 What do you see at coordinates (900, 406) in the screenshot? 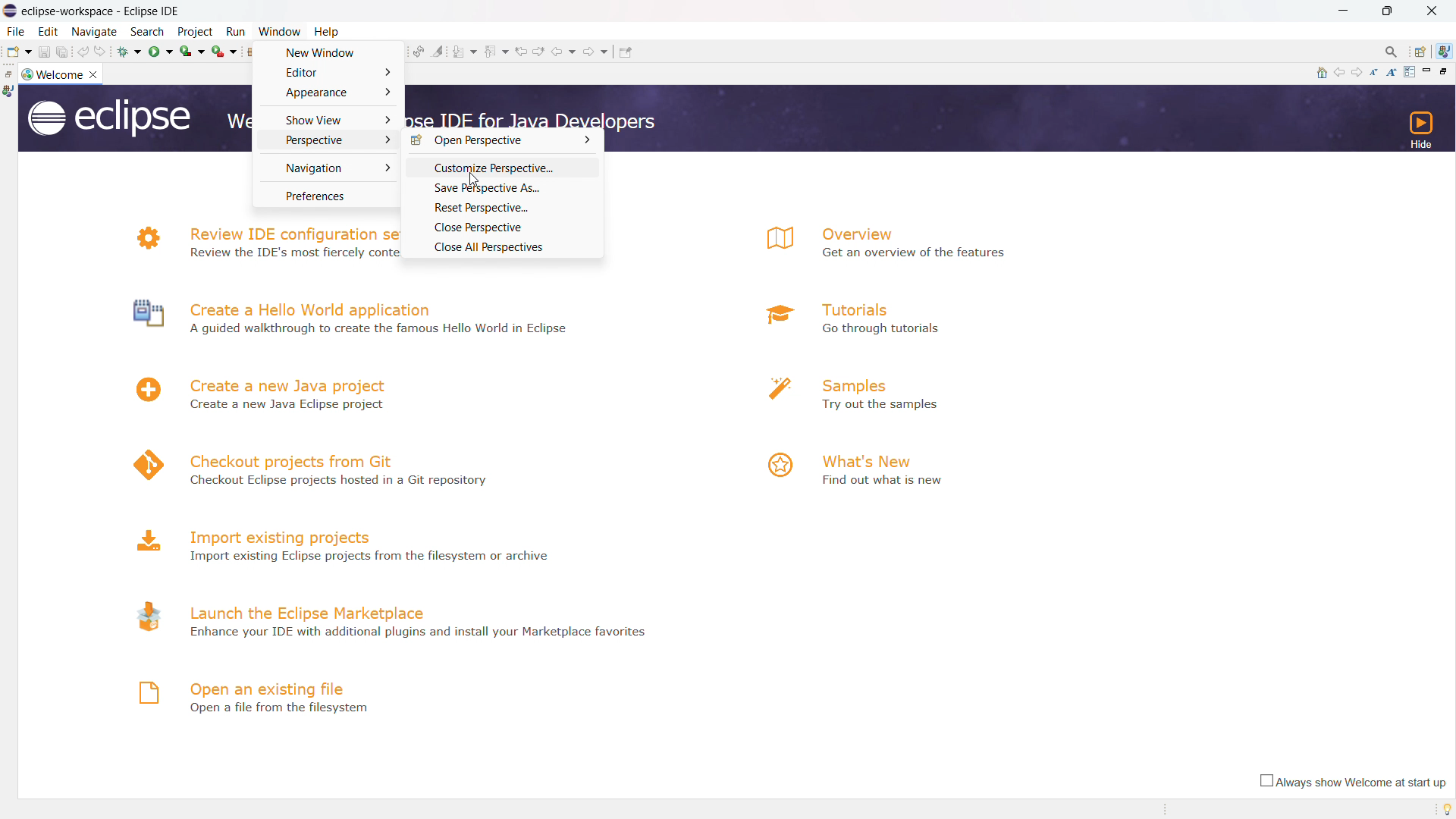
I see `Try out the samples` at bounding box center [900, 406].